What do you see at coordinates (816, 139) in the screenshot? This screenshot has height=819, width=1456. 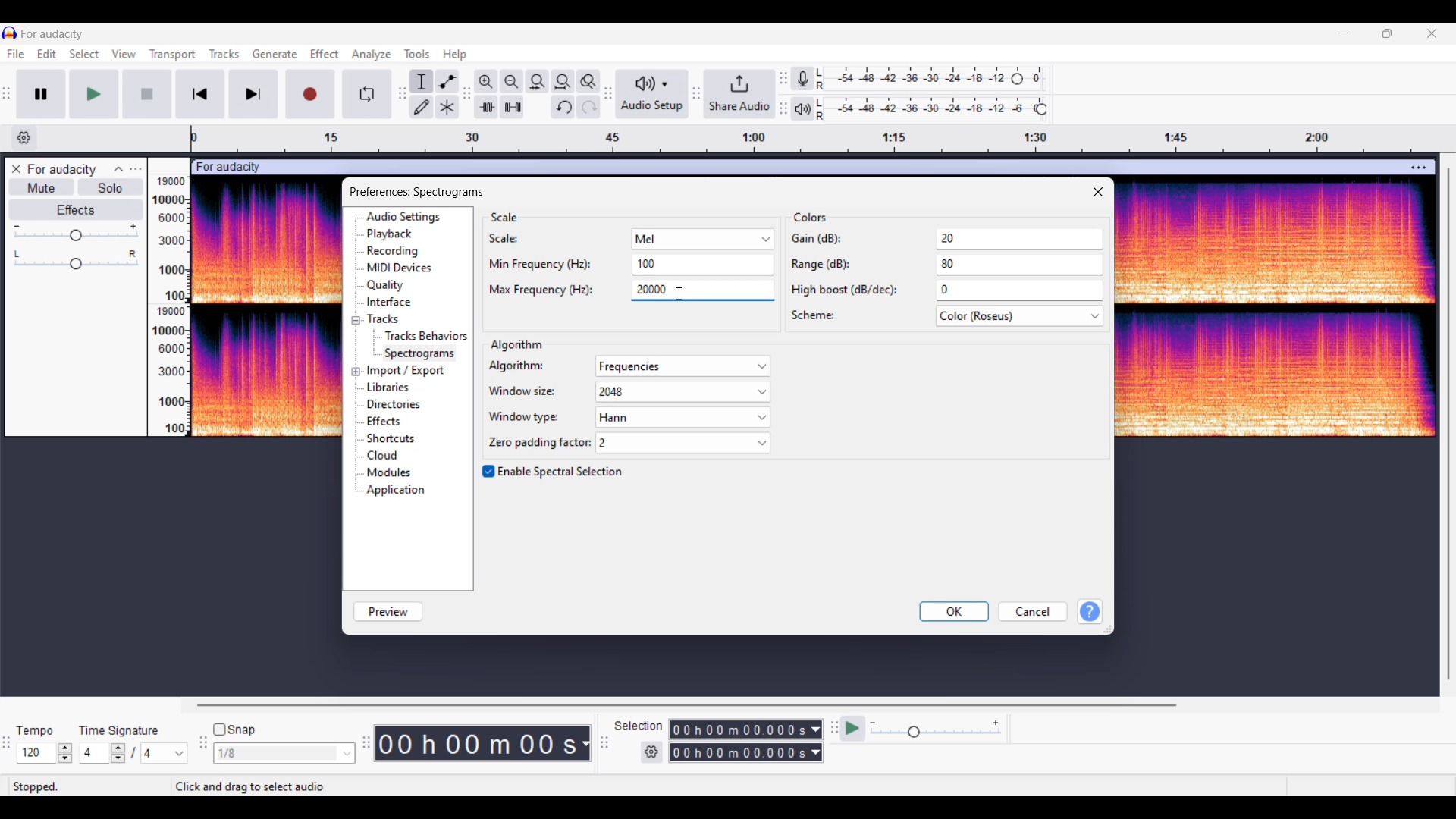 I see `Scale to measure length of track` at bounding box center [816, 139].